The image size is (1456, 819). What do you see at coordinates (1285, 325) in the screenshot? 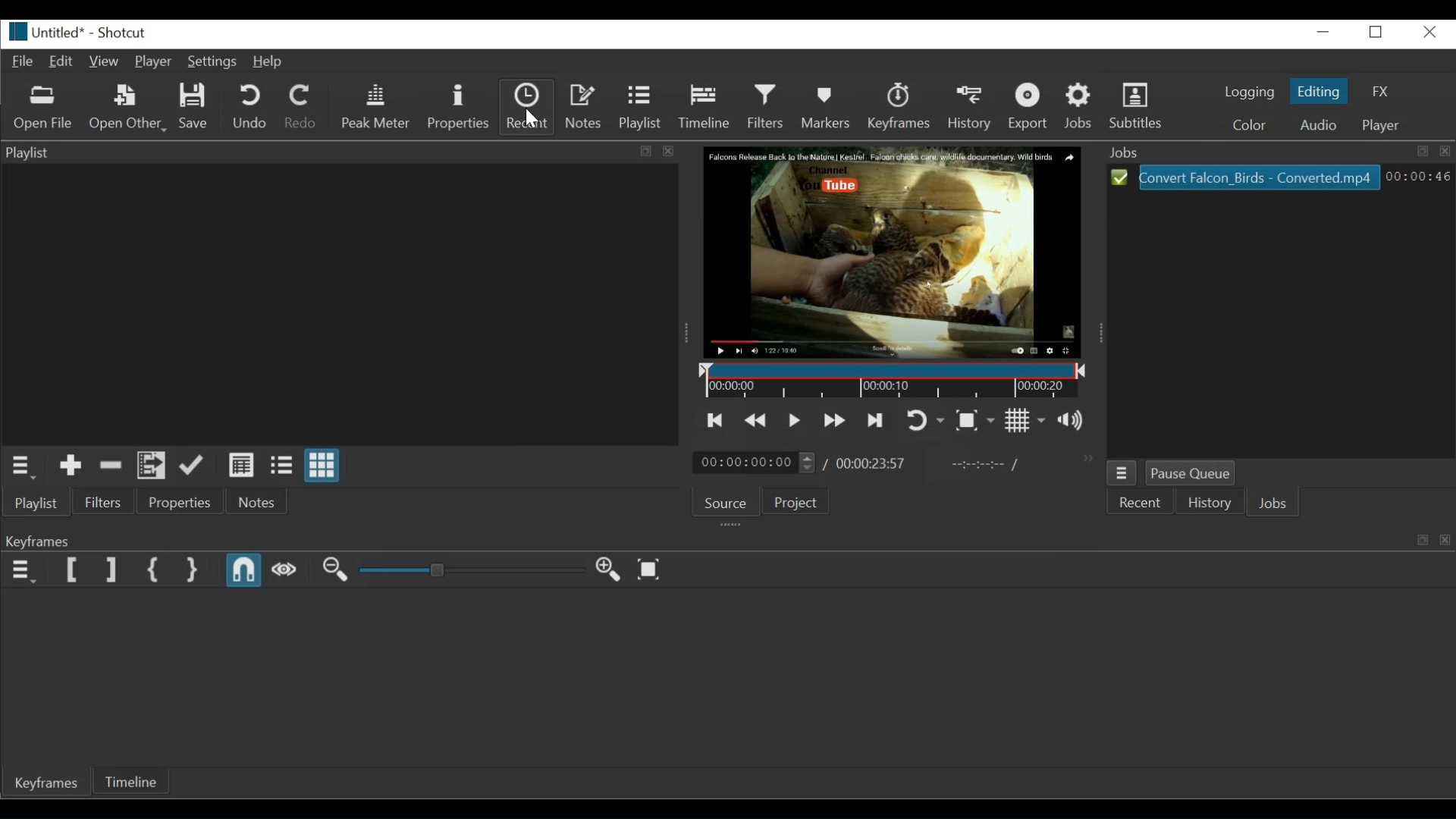
I see `Jobs panel` at bounding box center [1285, 325].